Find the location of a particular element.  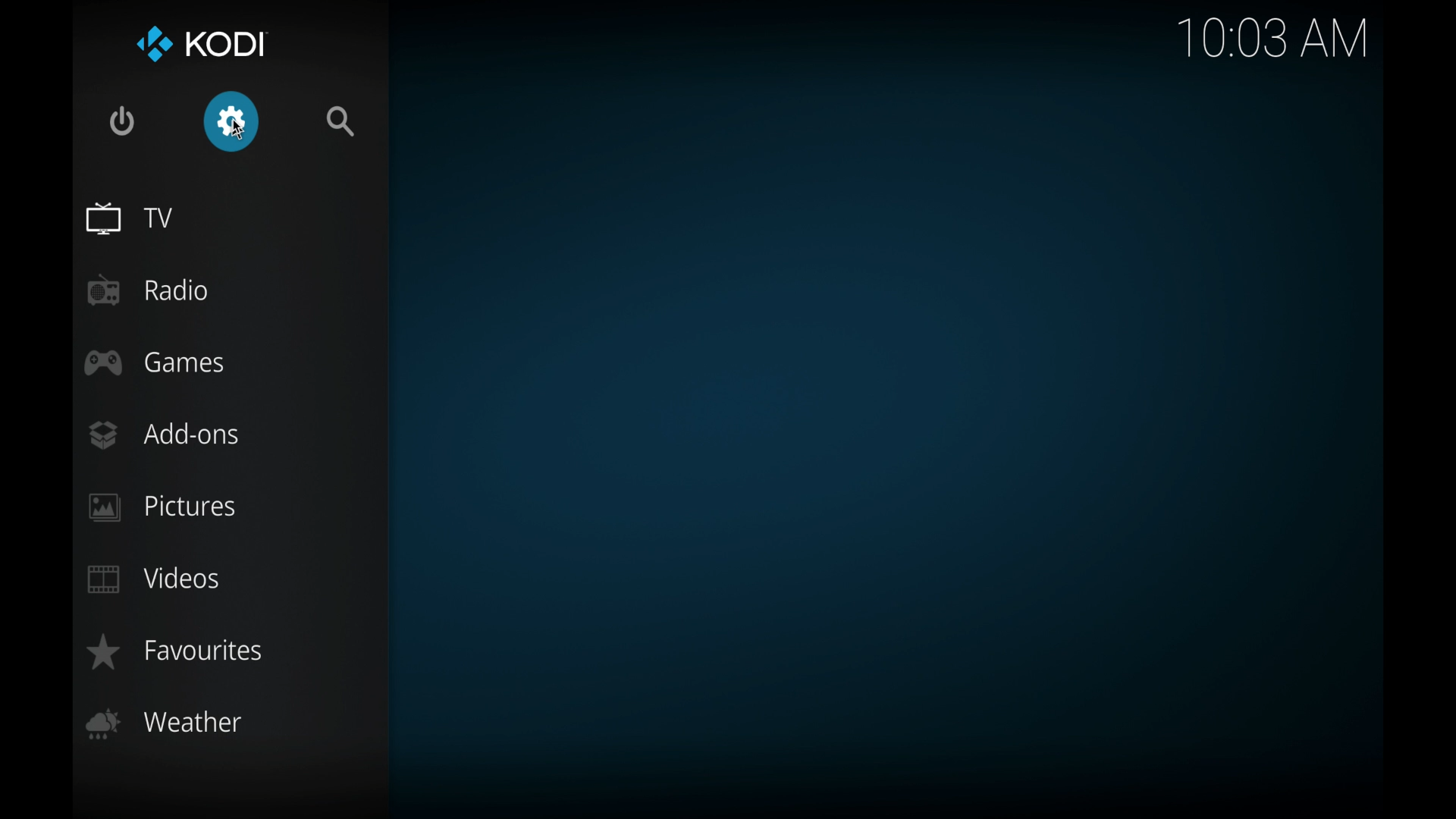

add-ons is located at coordinates (163, 435).